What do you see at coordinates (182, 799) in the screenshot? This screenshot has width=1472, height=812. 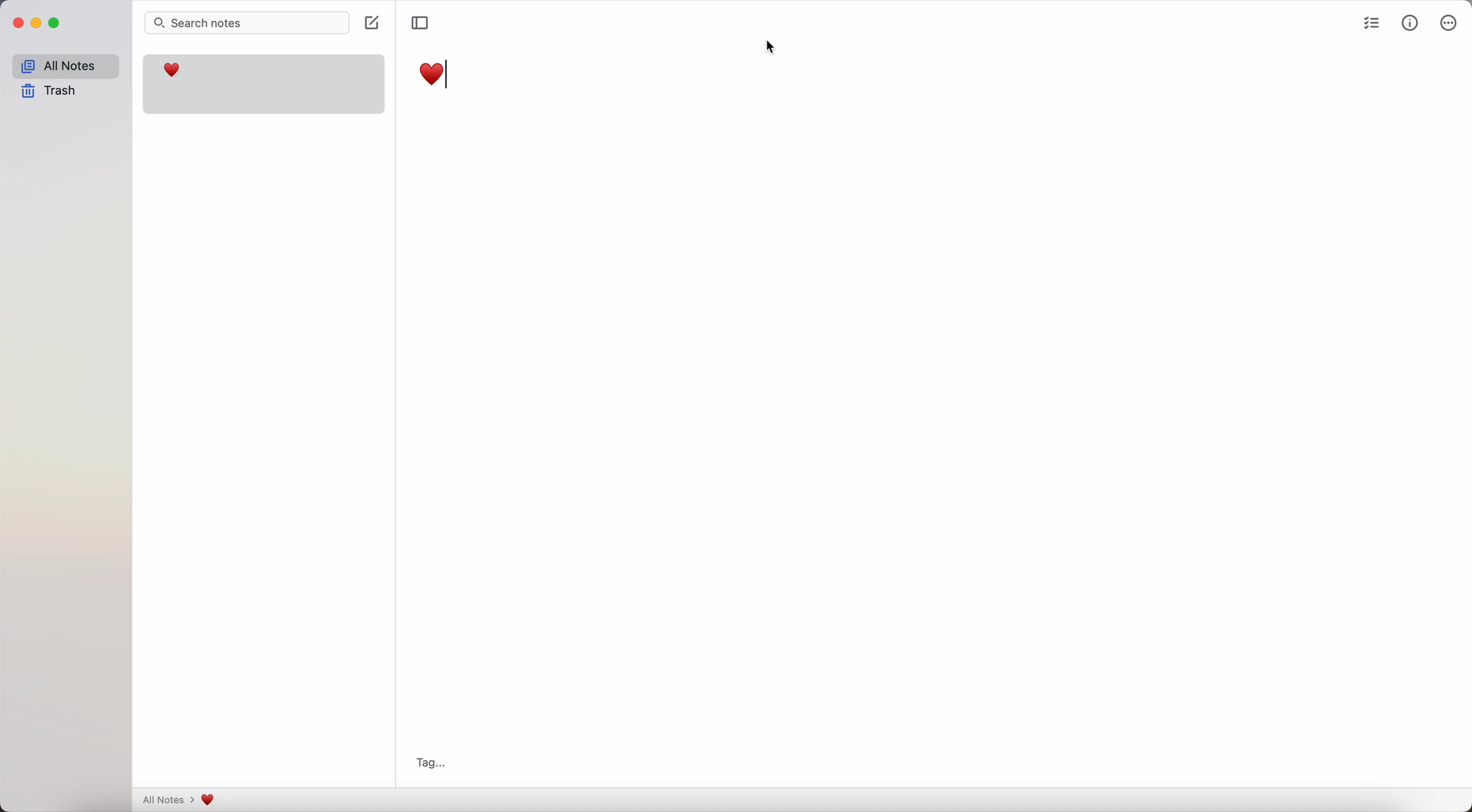 I see `all notes > heart emoji` at bounding box center [182, 799].